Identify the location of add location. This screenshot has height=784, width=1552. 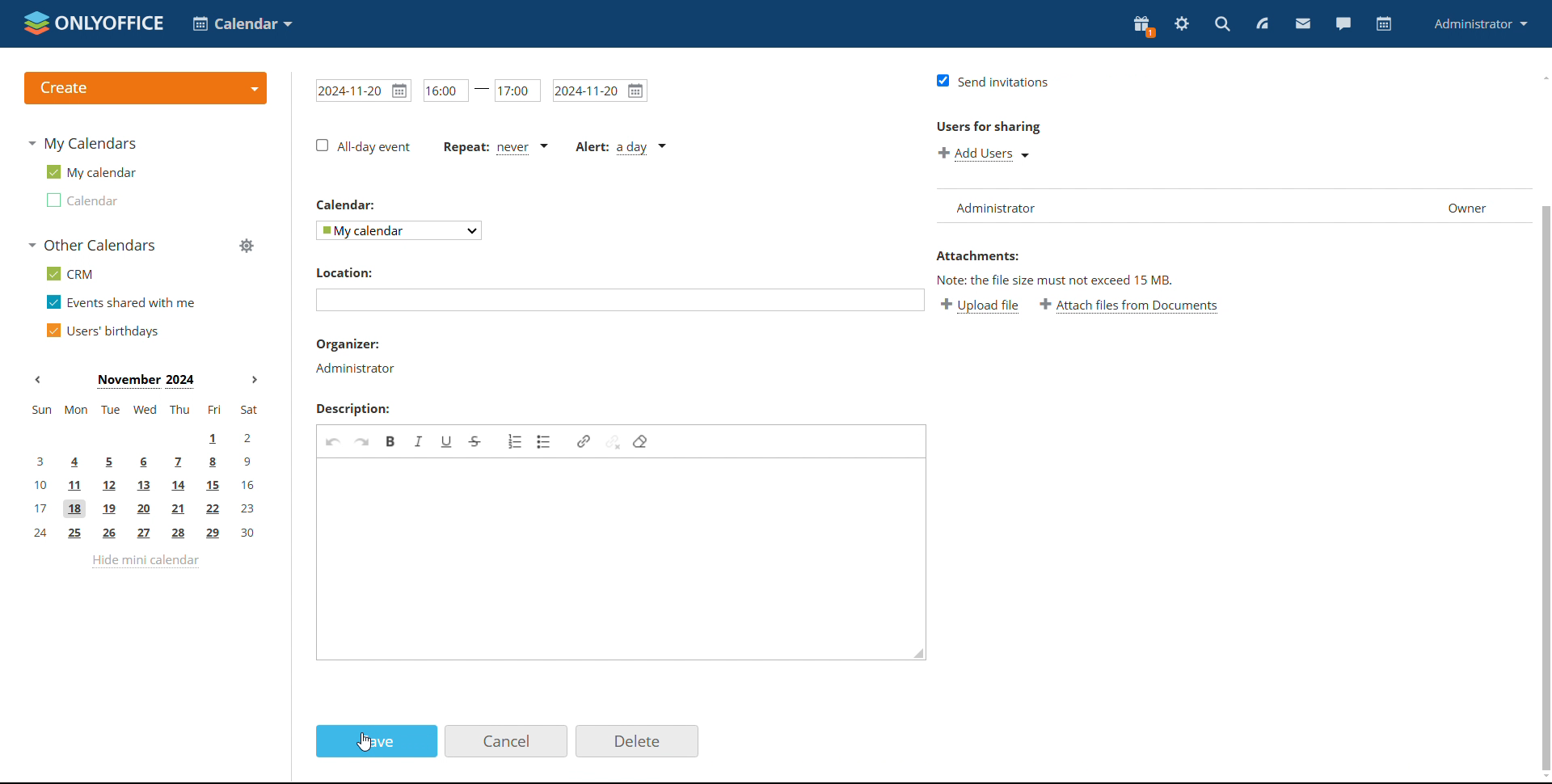
(620, 300).